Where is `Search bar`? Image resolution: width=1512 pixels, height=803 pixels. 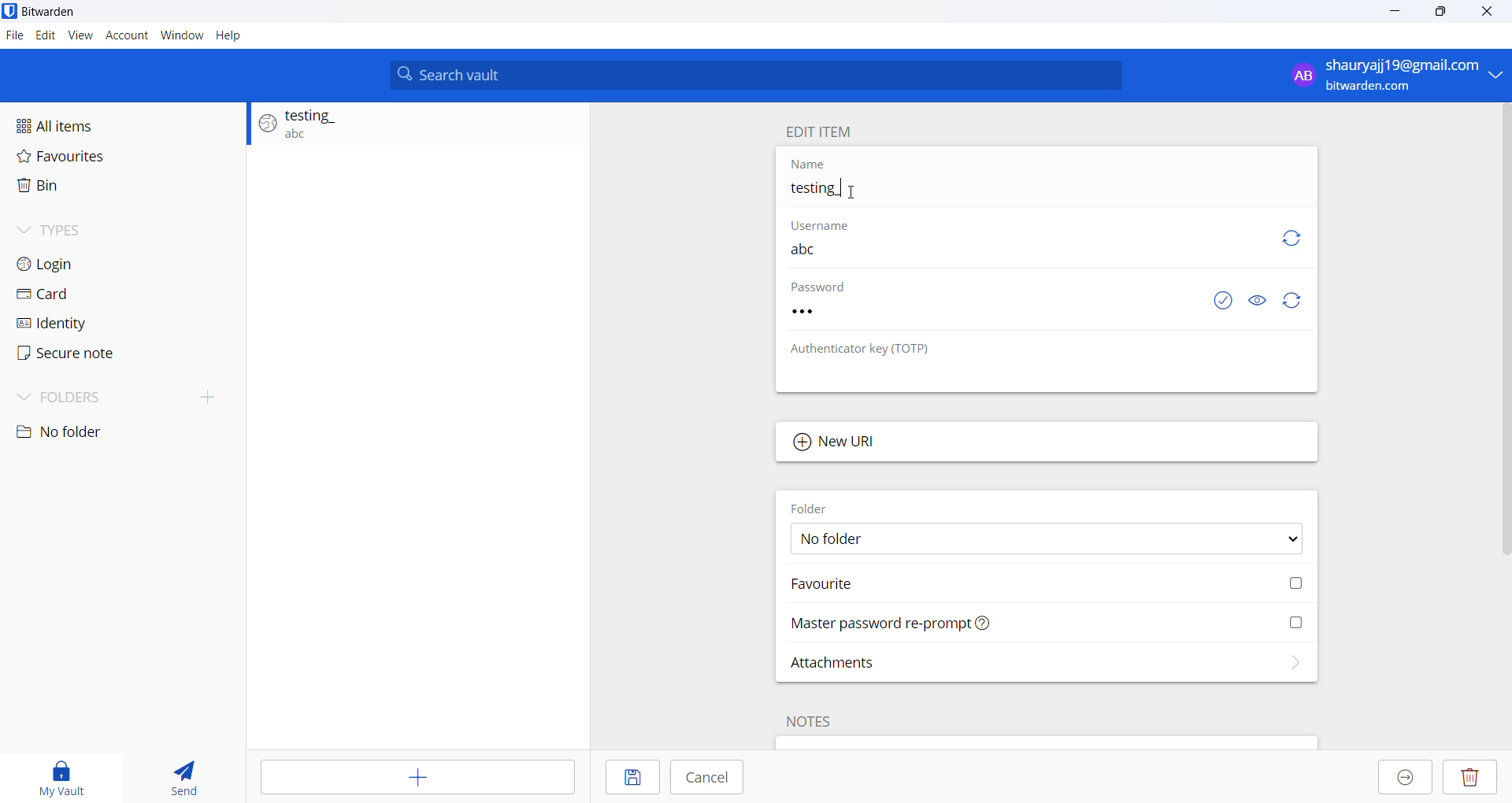 Search bar is located at coordinates (757, 76).